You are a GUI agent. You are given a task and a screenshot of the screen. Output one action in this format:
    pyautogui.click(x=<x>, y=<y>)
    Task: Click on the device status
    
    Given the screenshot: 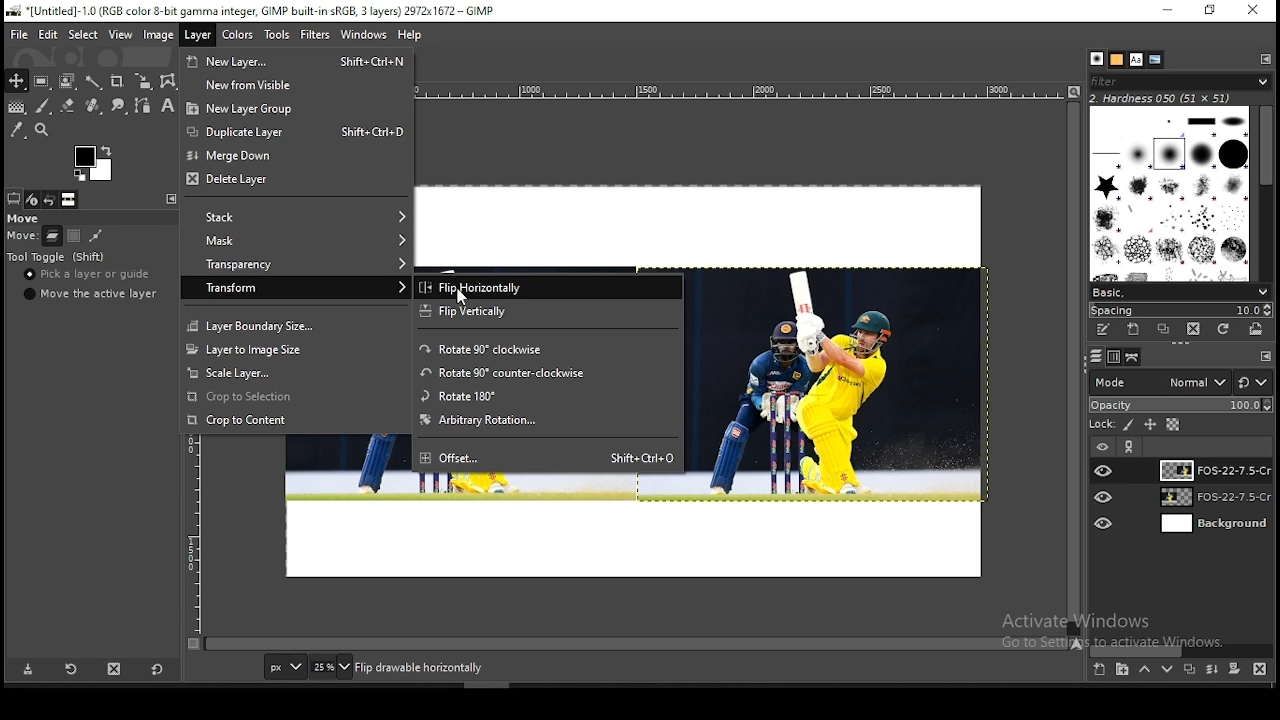 What is the action you would take?
    pyautogui.click(x=33, y=199)
    